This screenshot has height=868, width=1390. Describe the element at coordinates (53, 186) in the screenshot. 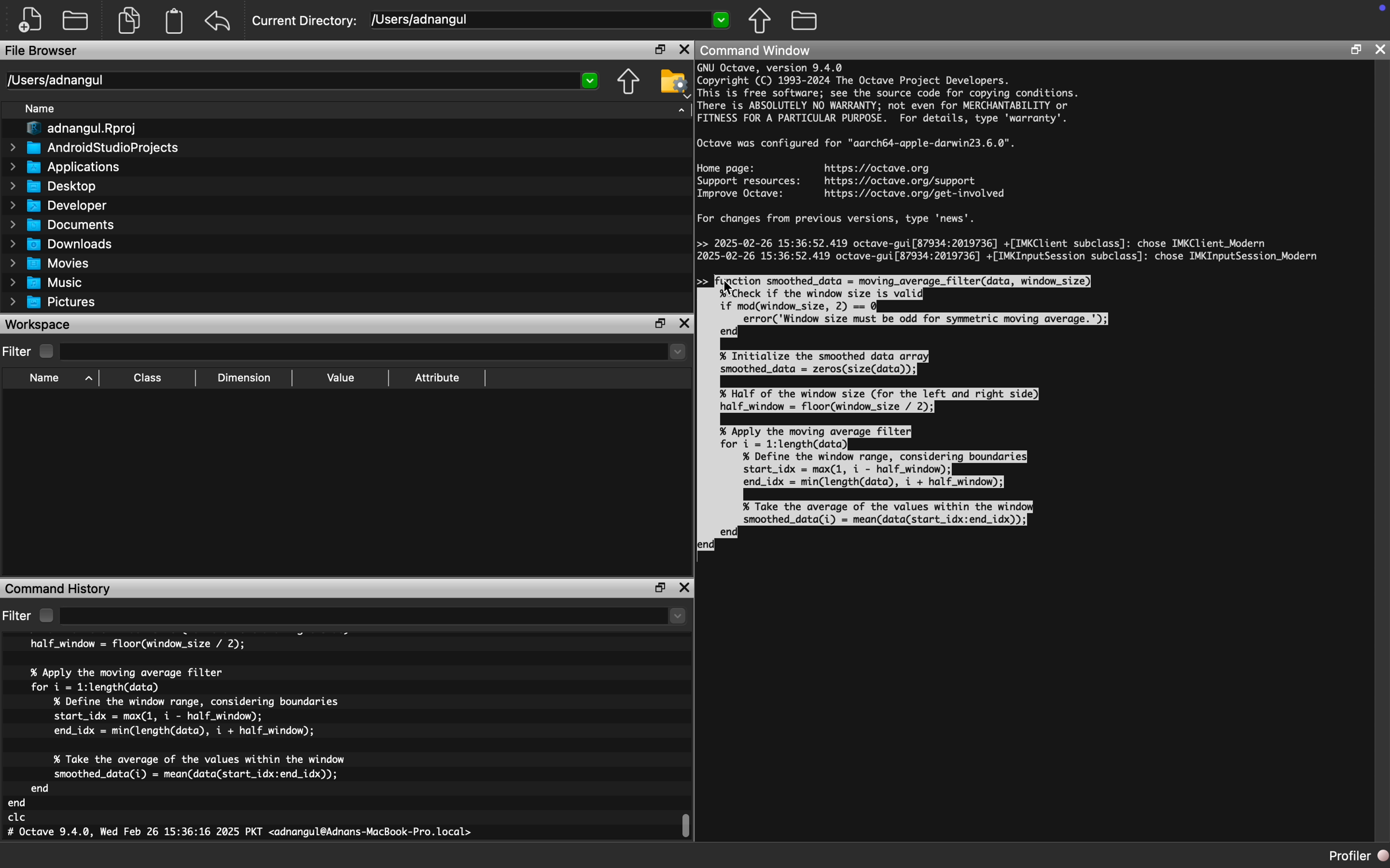

I see `Desktop` at that location.